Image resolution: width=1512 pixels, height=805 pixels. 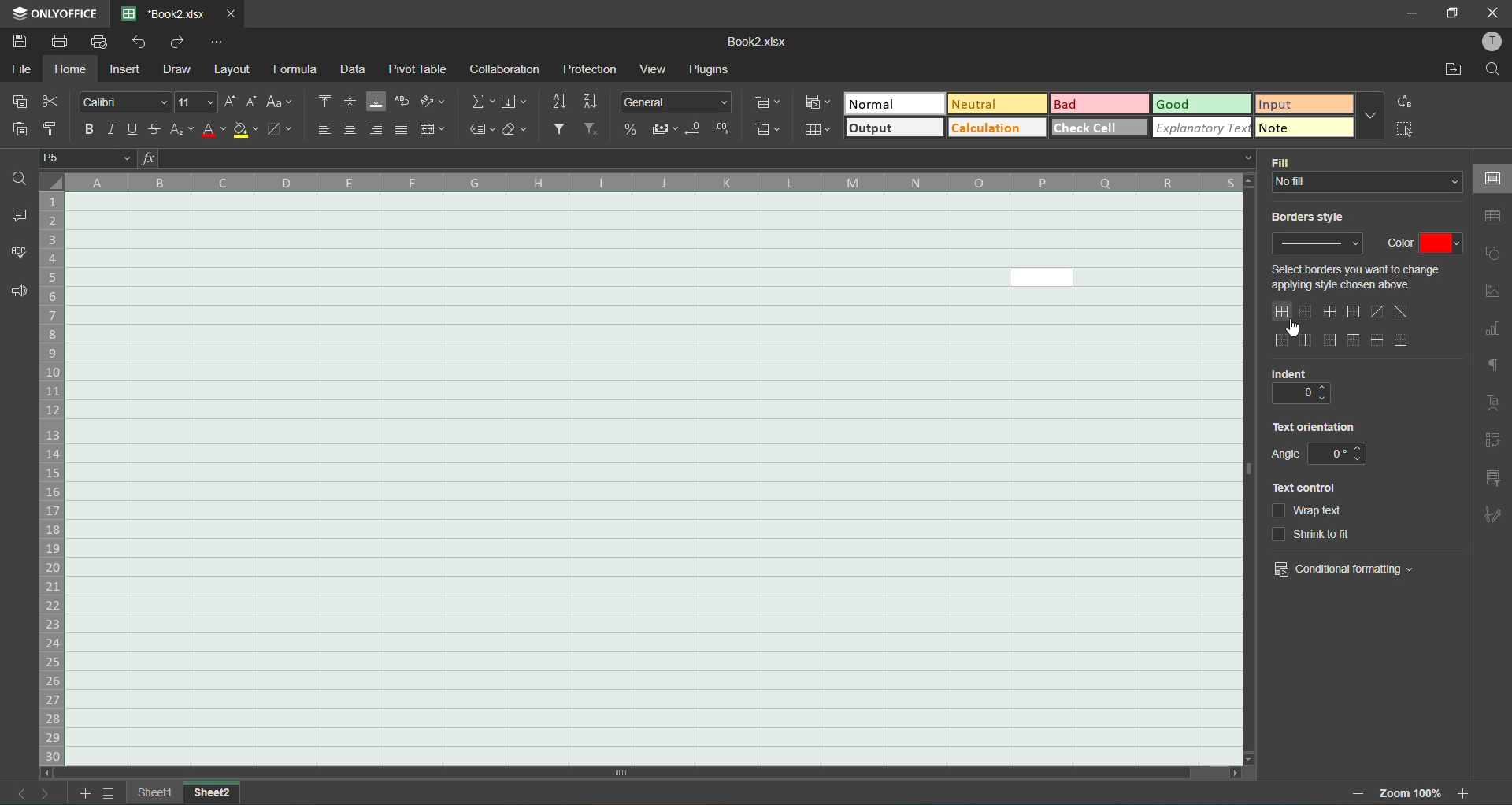 What do you see at coordinates (19, 104) in the screenshot?
I see `copy` at bounding box center [19, 104].